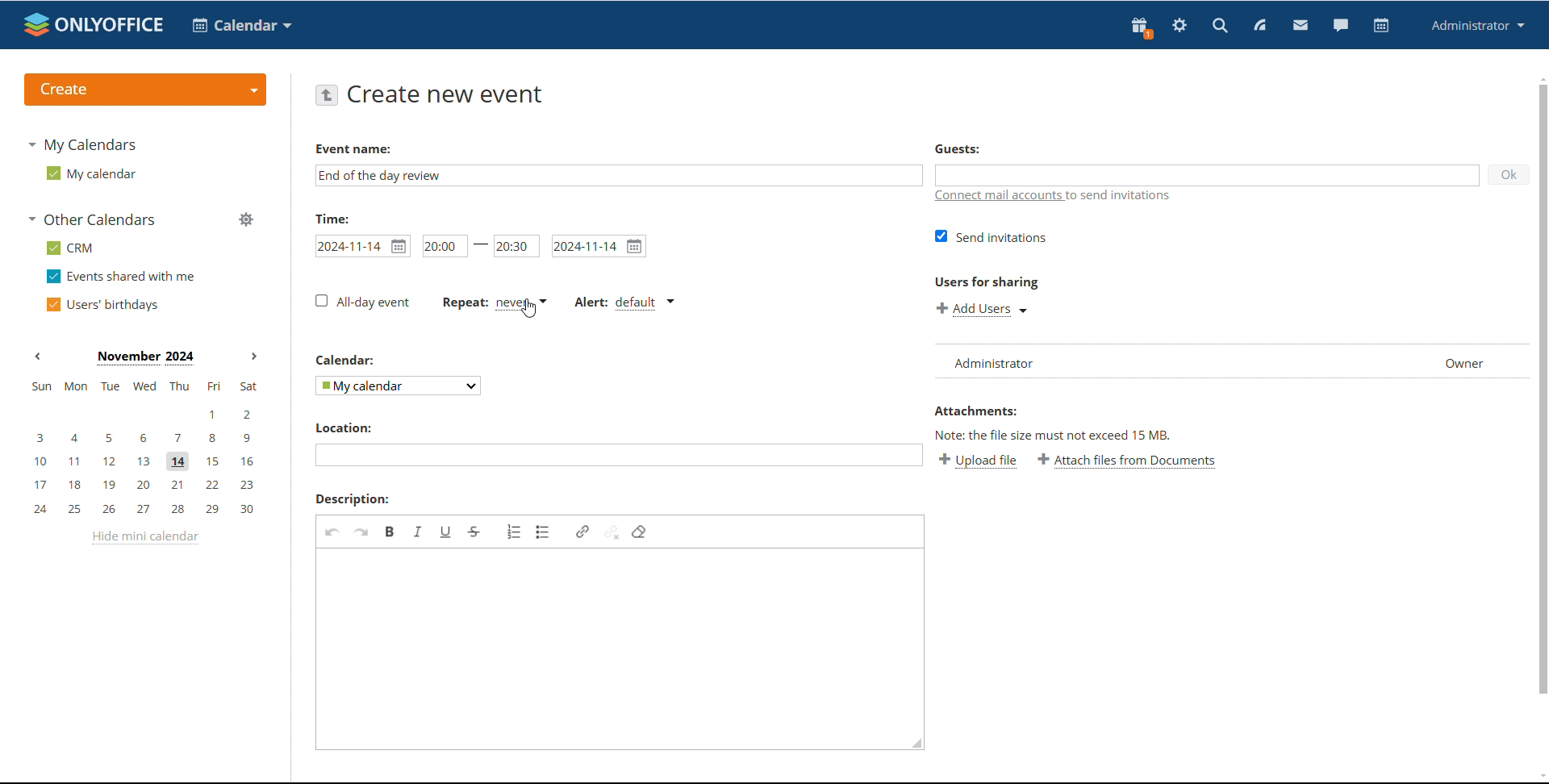 The image size is (1549, 784). What do you see at coordinates (381, 175) in the screenshot?
I see `event name added` at bounding box center [381, 175].